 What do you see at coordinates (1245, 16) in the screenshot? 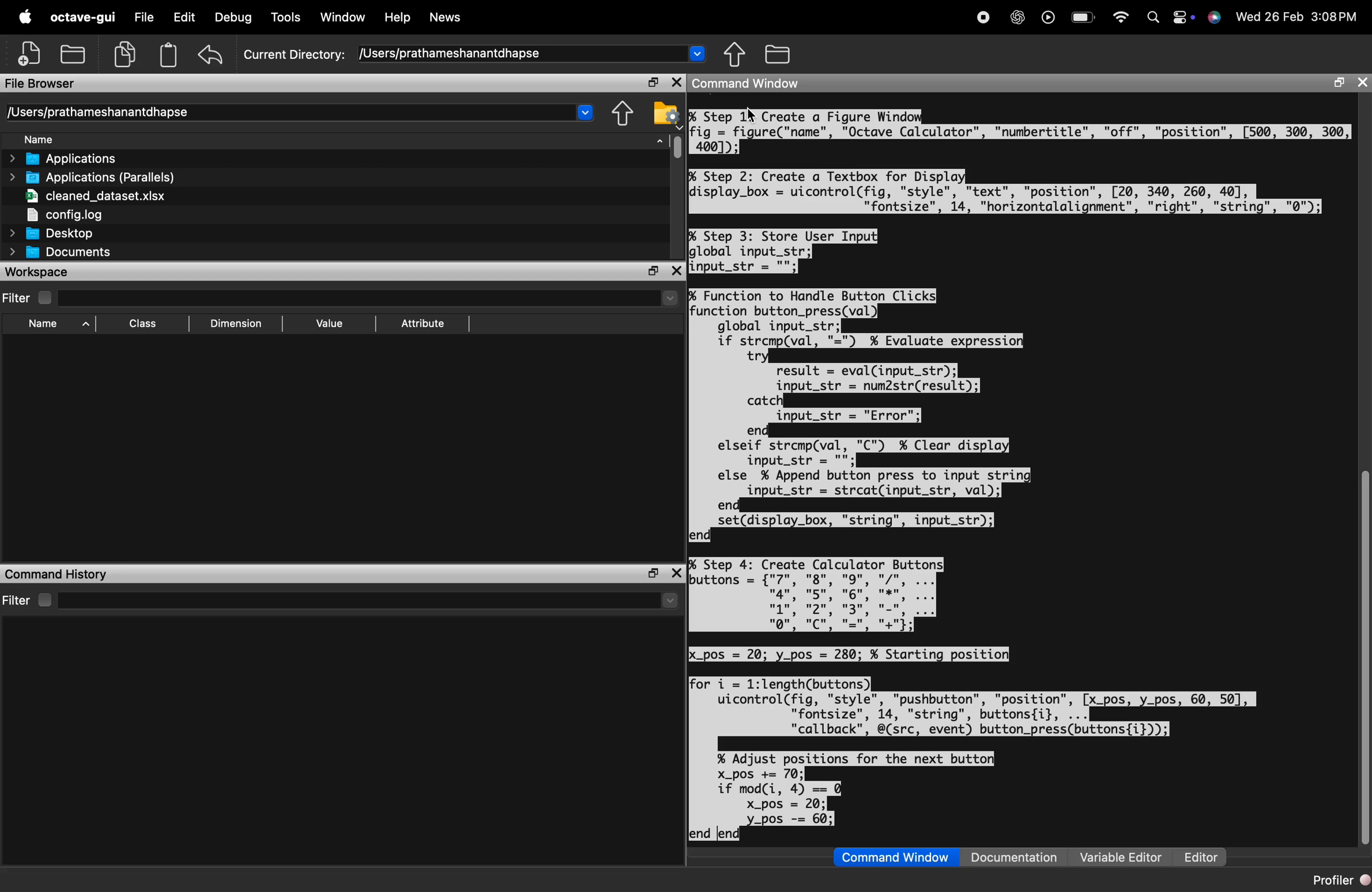
I see `Wed` at bounding box center [1245, 16].